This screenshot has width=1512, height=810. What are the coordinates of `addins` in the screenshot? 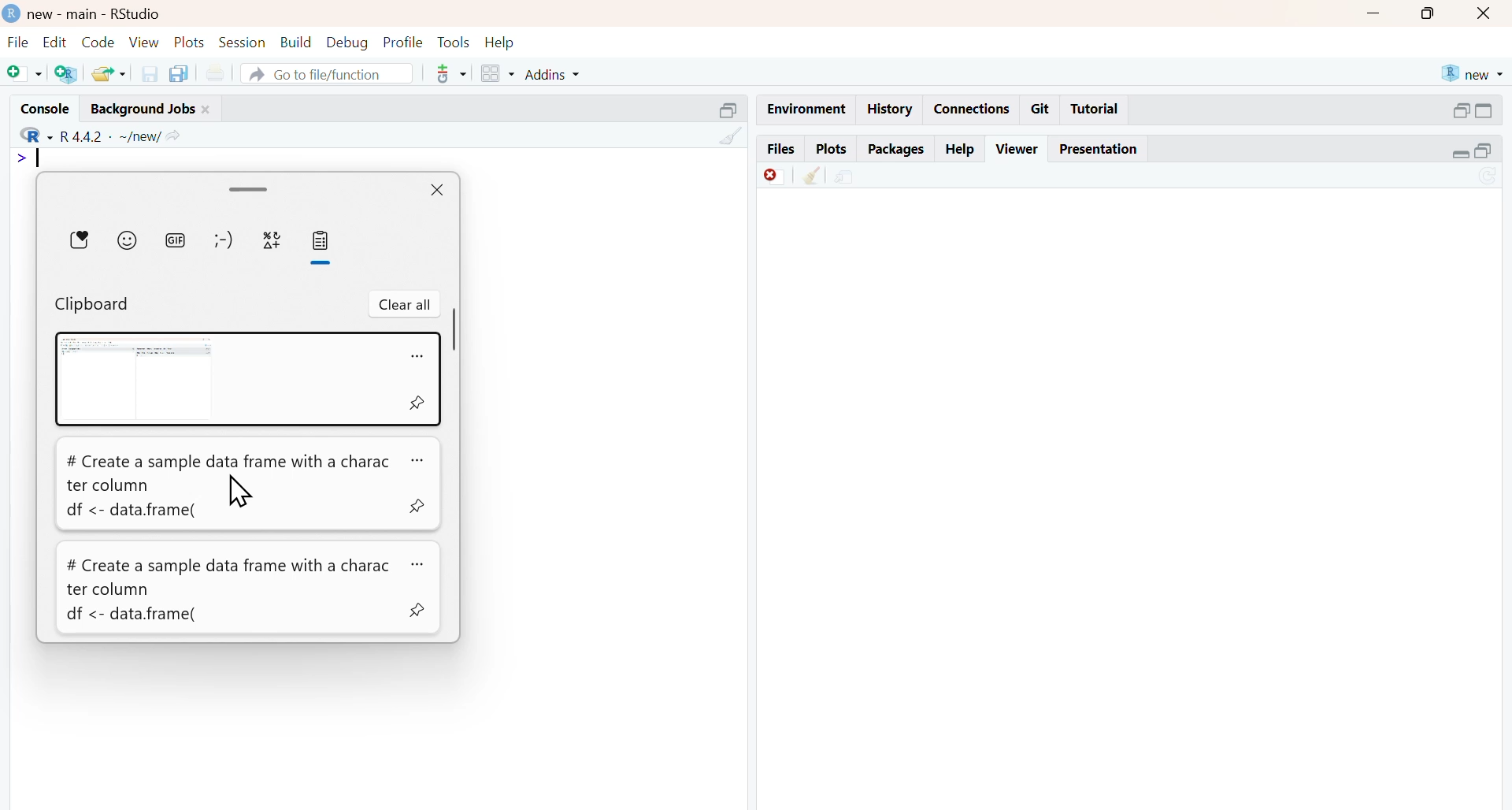 It's located at (553, 75).